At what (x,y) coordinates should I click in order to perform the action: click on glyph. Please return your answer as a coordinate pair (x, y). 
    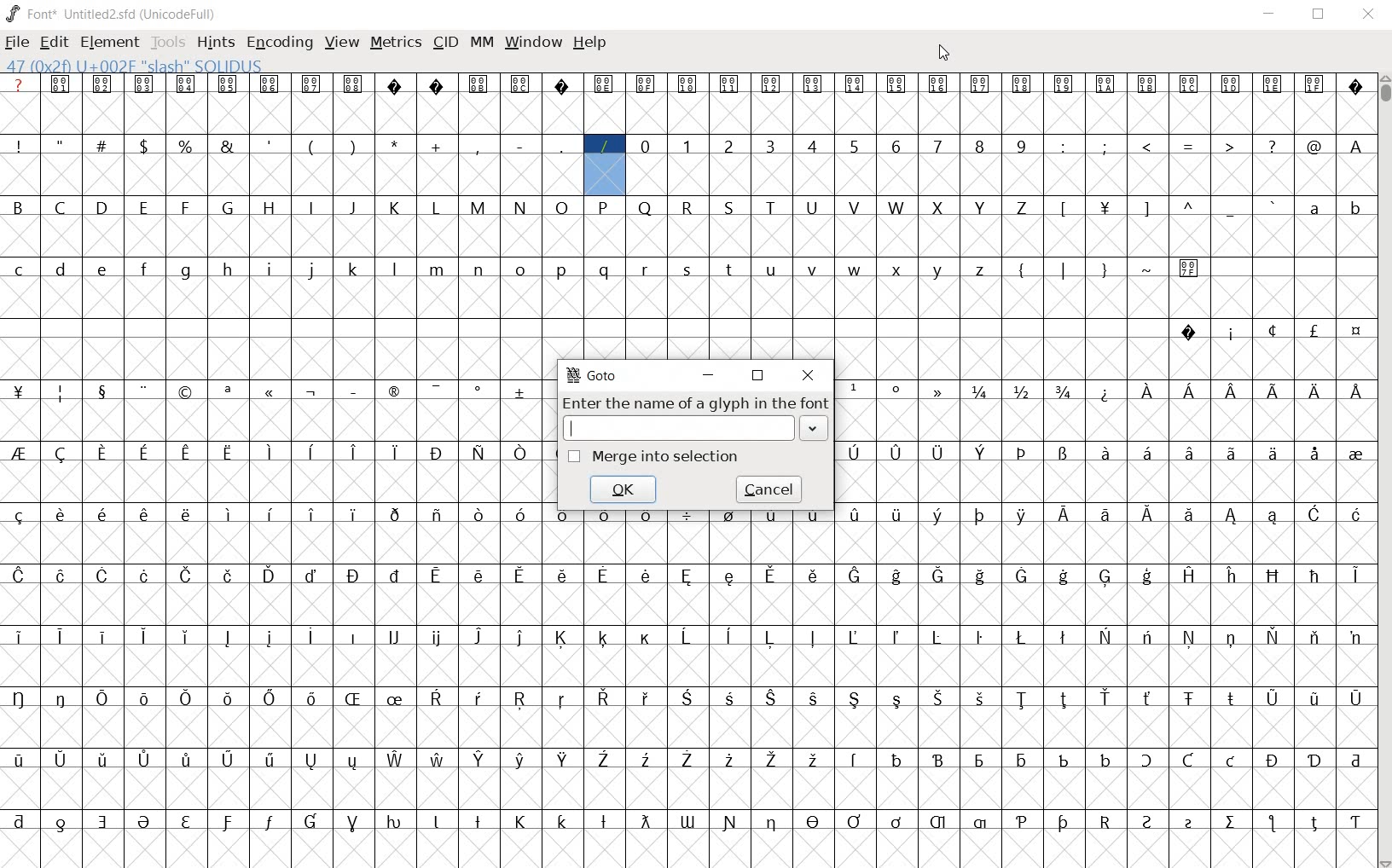
    Looking at the image, I should click on (937, 822).